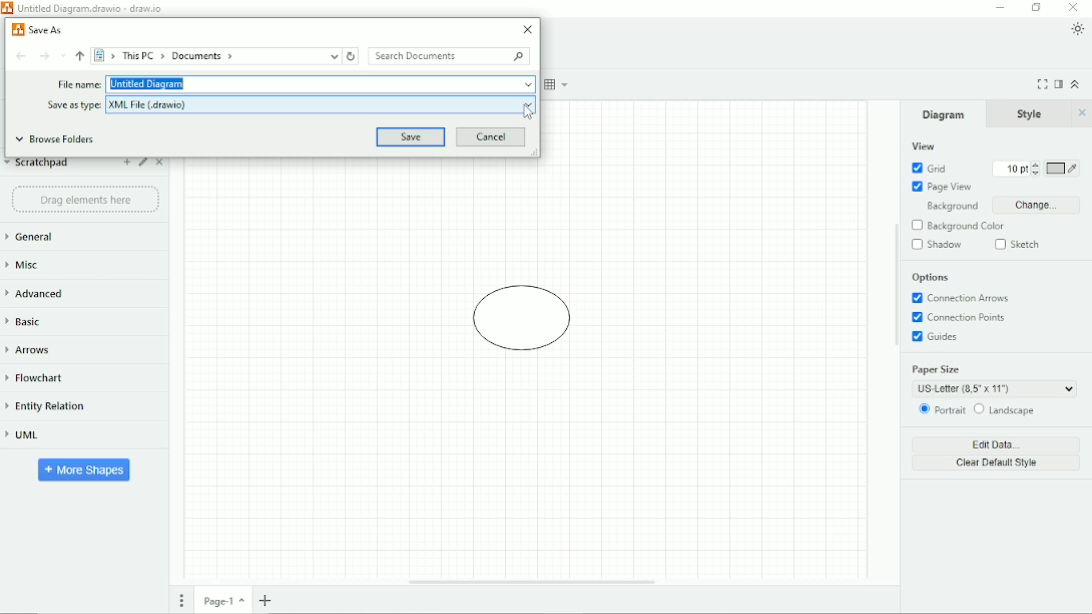  Describe the element at coordinates (1021, 245) in the screenshot. I see `Sketch` at that location.